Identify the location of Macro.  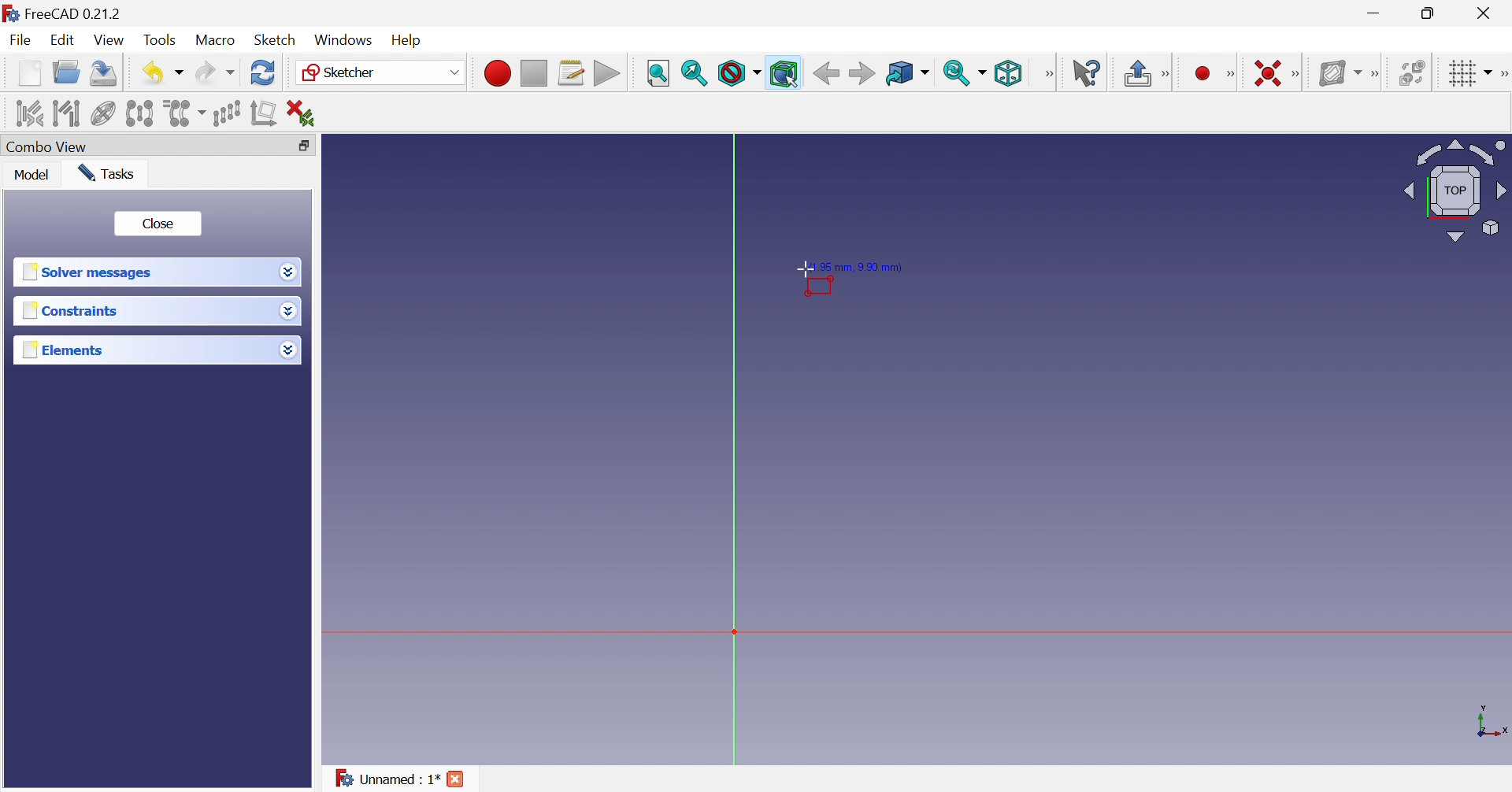
(213, 40).